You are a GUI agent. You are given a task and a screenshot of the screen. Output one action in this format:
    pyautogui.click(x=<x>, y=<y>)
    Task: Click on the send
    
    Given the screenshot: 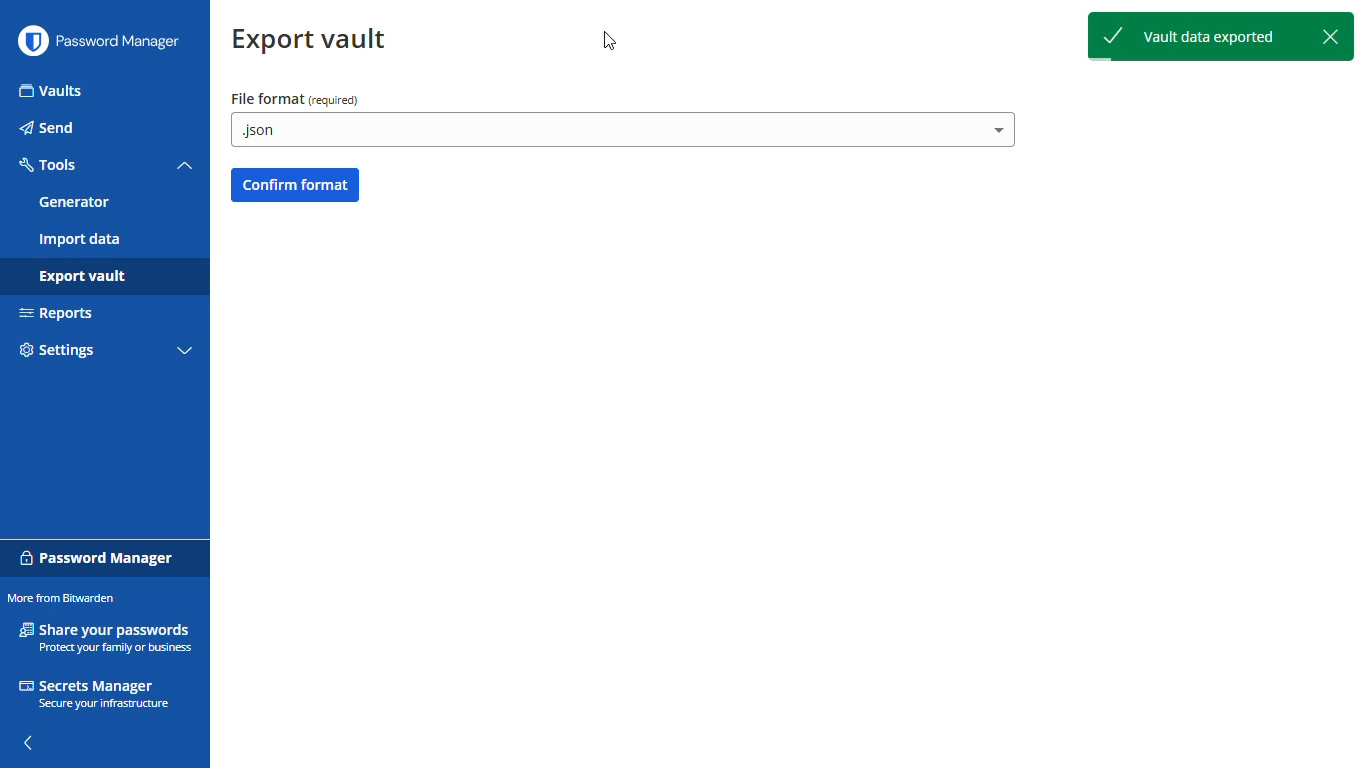 What is the action you would take?
    pyautogui.click(x=47, y=128)
    